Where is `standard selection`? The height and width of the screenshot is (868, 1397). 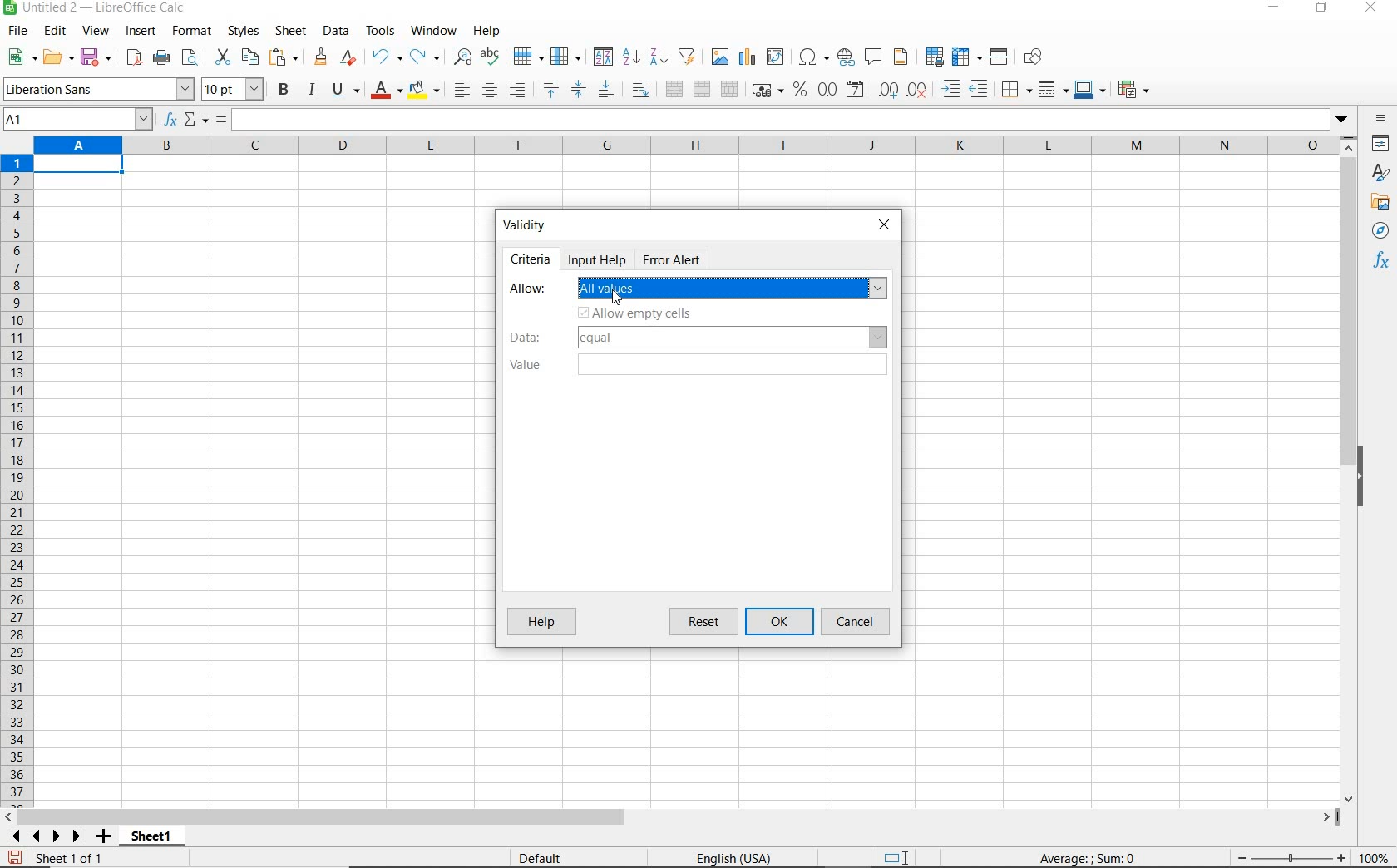 standard selection is located at coordinates (897, 859).